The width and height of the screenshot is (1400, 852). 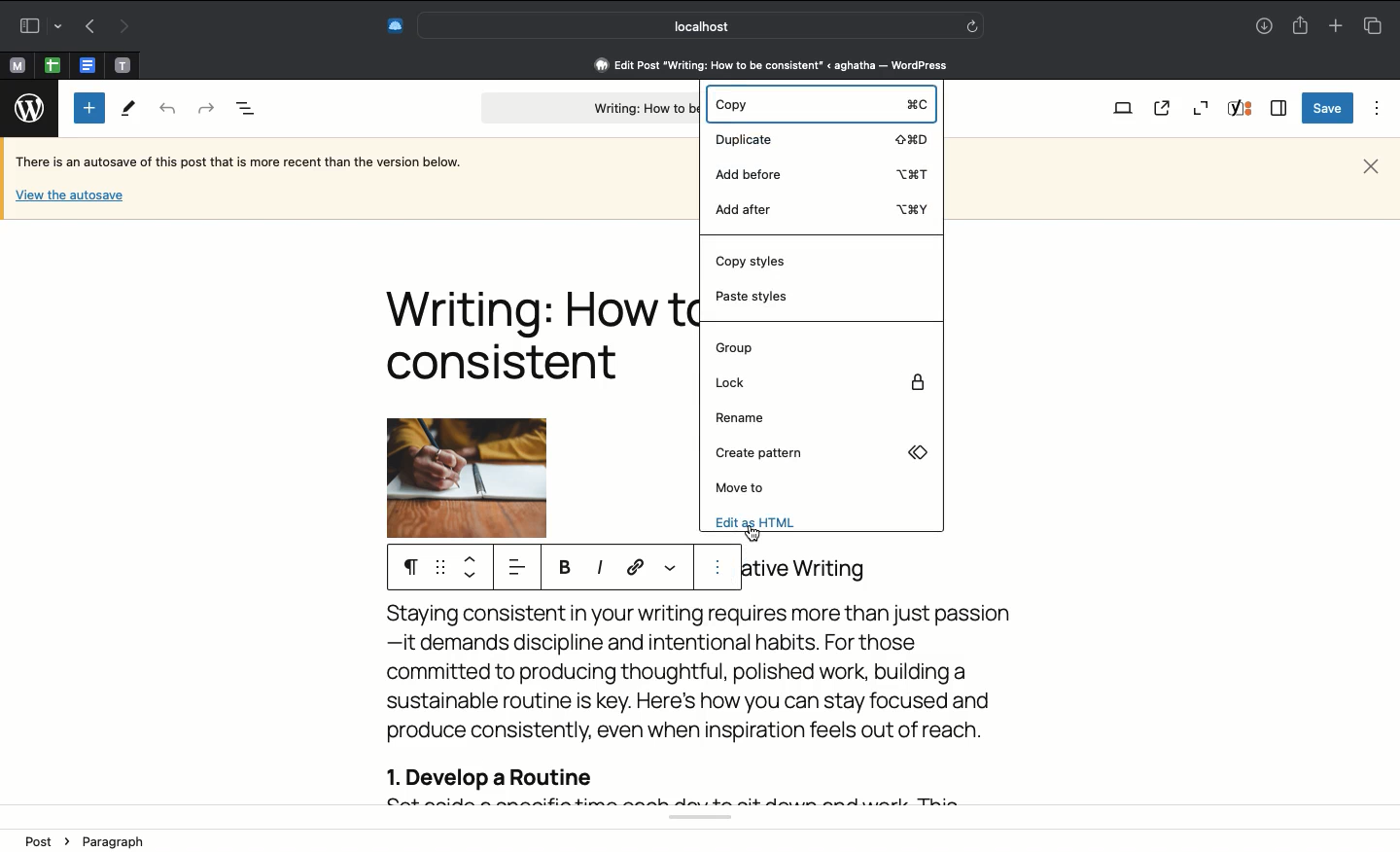 What do you see at coordinates (743, 487) in the screenshot?
I see `Move to` at bounding box center [743, 487].